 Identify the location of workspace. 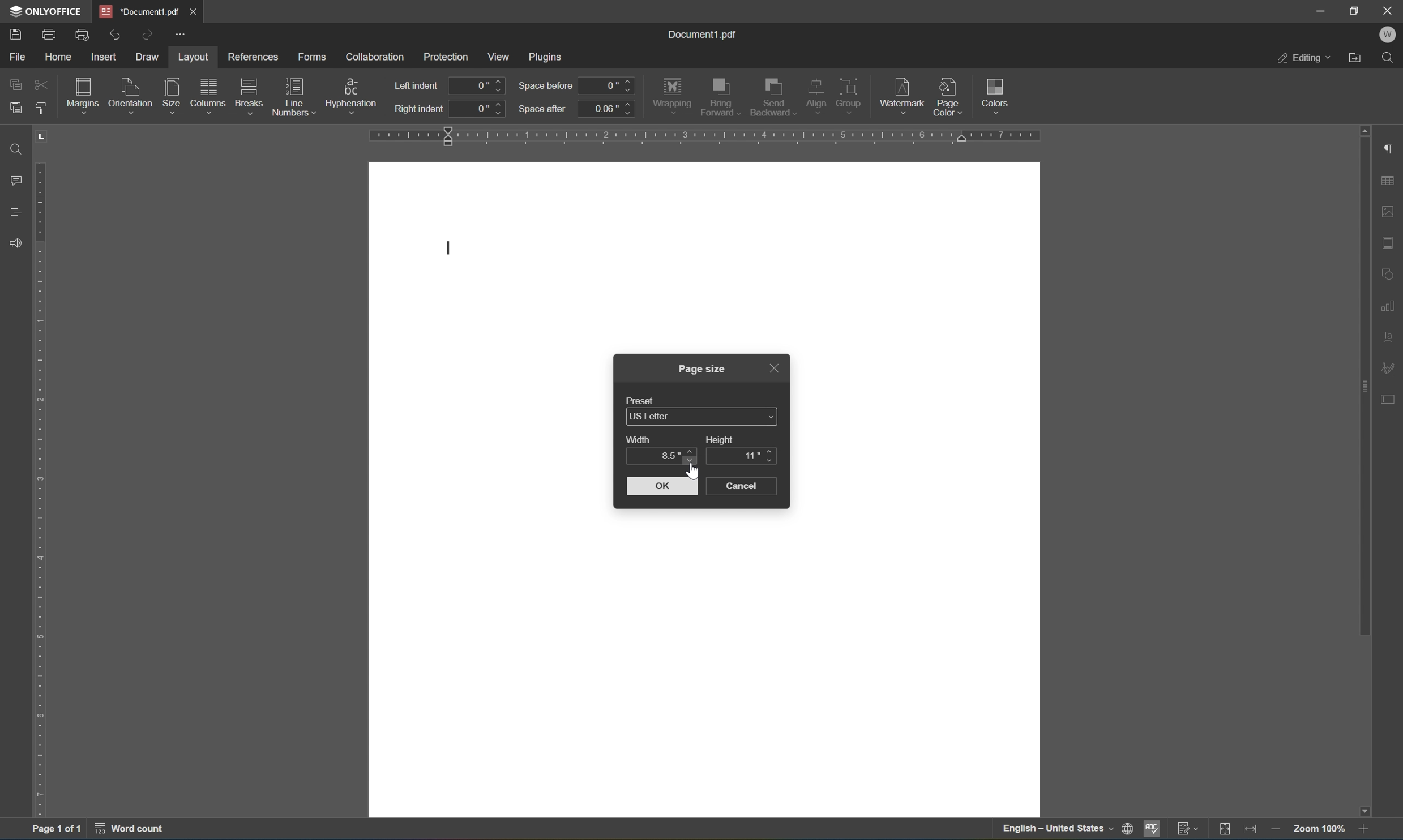
(705, 667).